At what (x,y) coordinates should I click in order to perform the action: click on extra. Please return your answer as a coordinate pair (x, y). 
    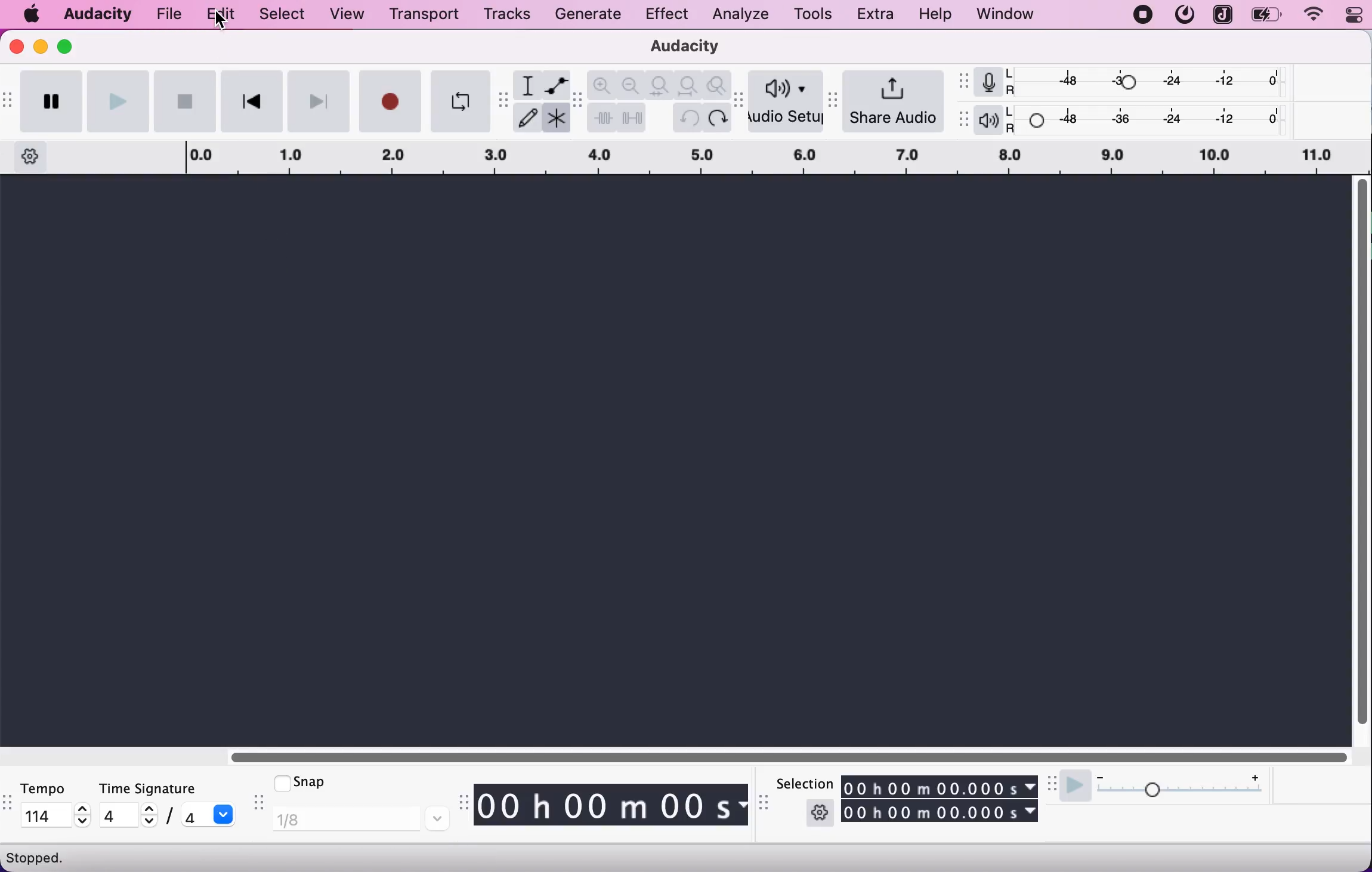
    Looking at the image, I should click on (877, 15).